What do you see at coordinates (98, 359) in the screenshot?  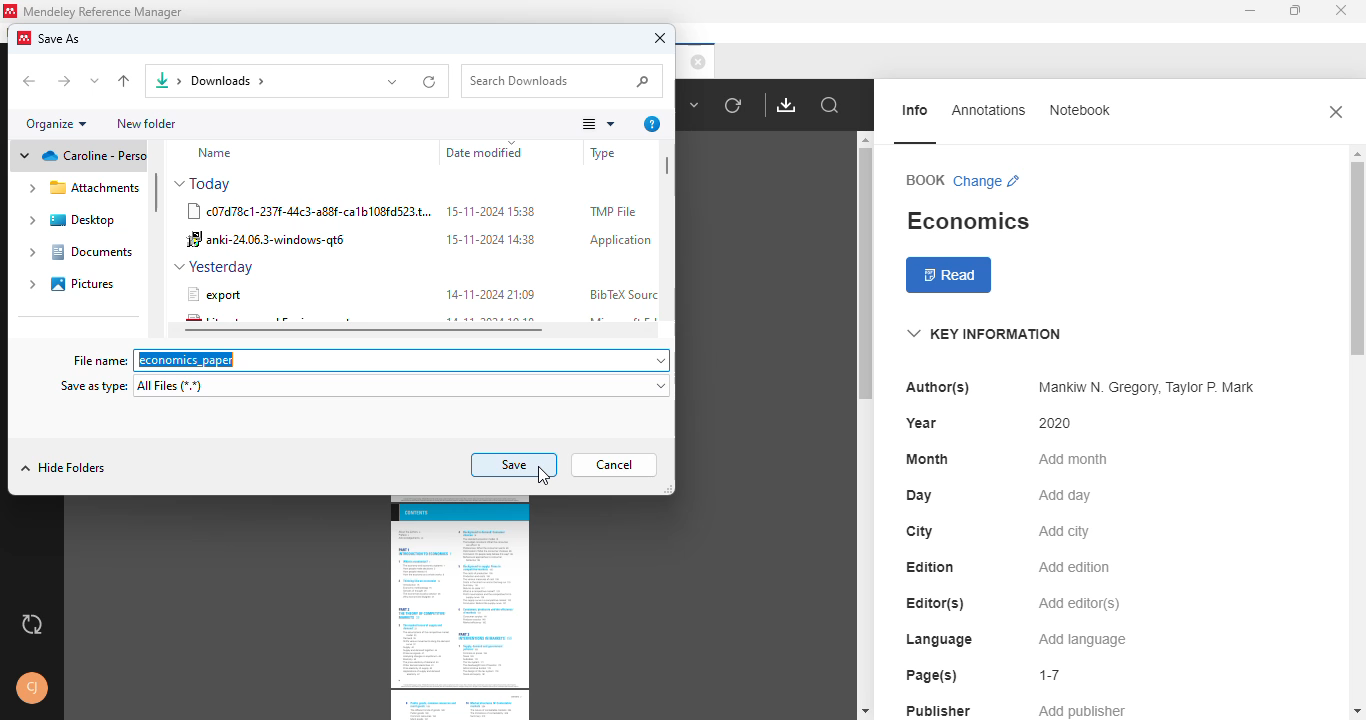 I see `file name:` at bounding box center [98, 359].